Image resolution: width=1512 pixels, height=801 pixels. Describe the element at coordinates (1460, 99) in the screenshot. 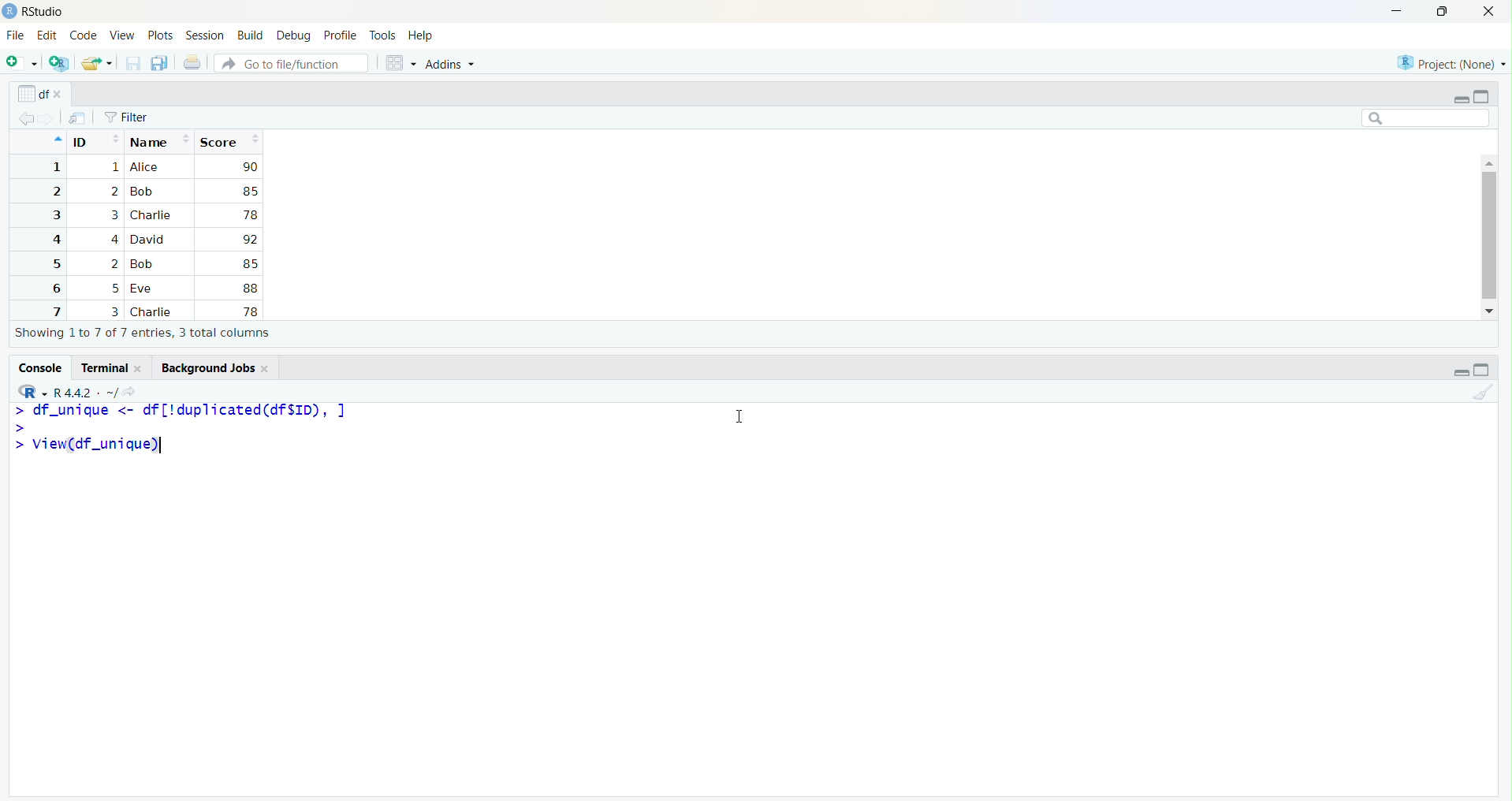

I see `minimize` at that location.